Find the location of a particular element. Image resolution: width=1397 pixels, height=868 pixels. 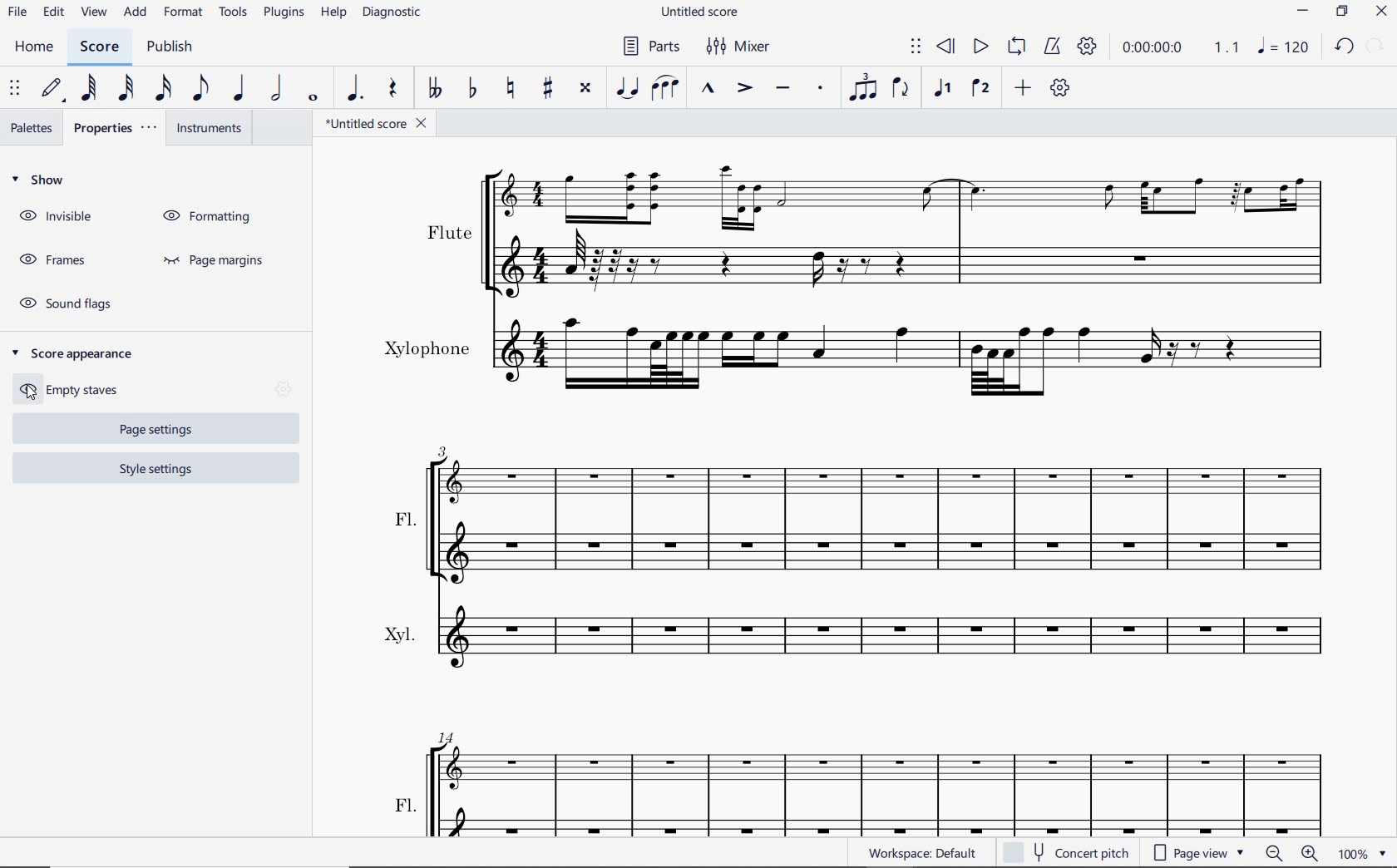

PAGE MARGINS is located at coordinates (222, 259).